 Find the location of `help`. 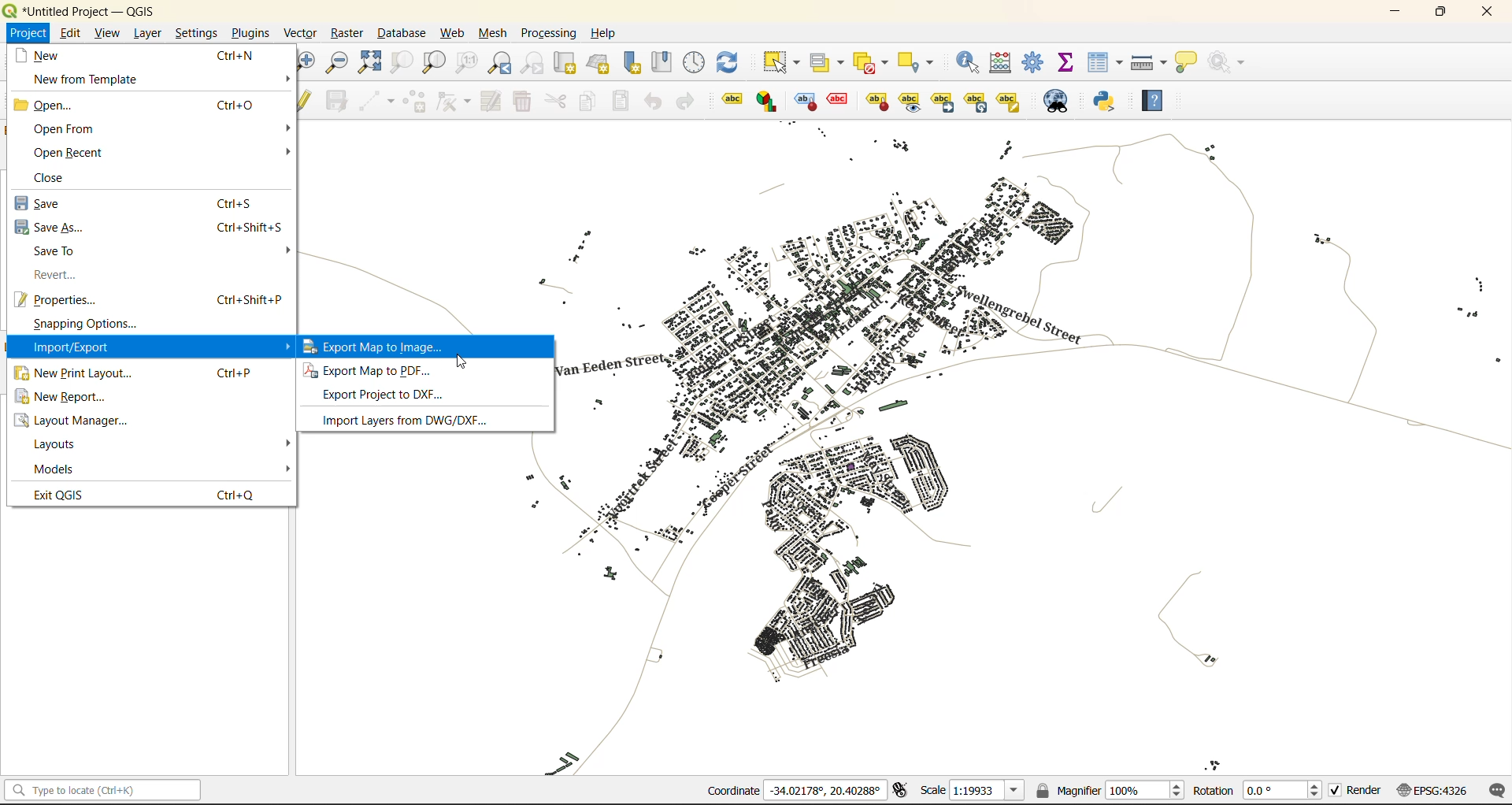

help is located at coordinates (606, 33).